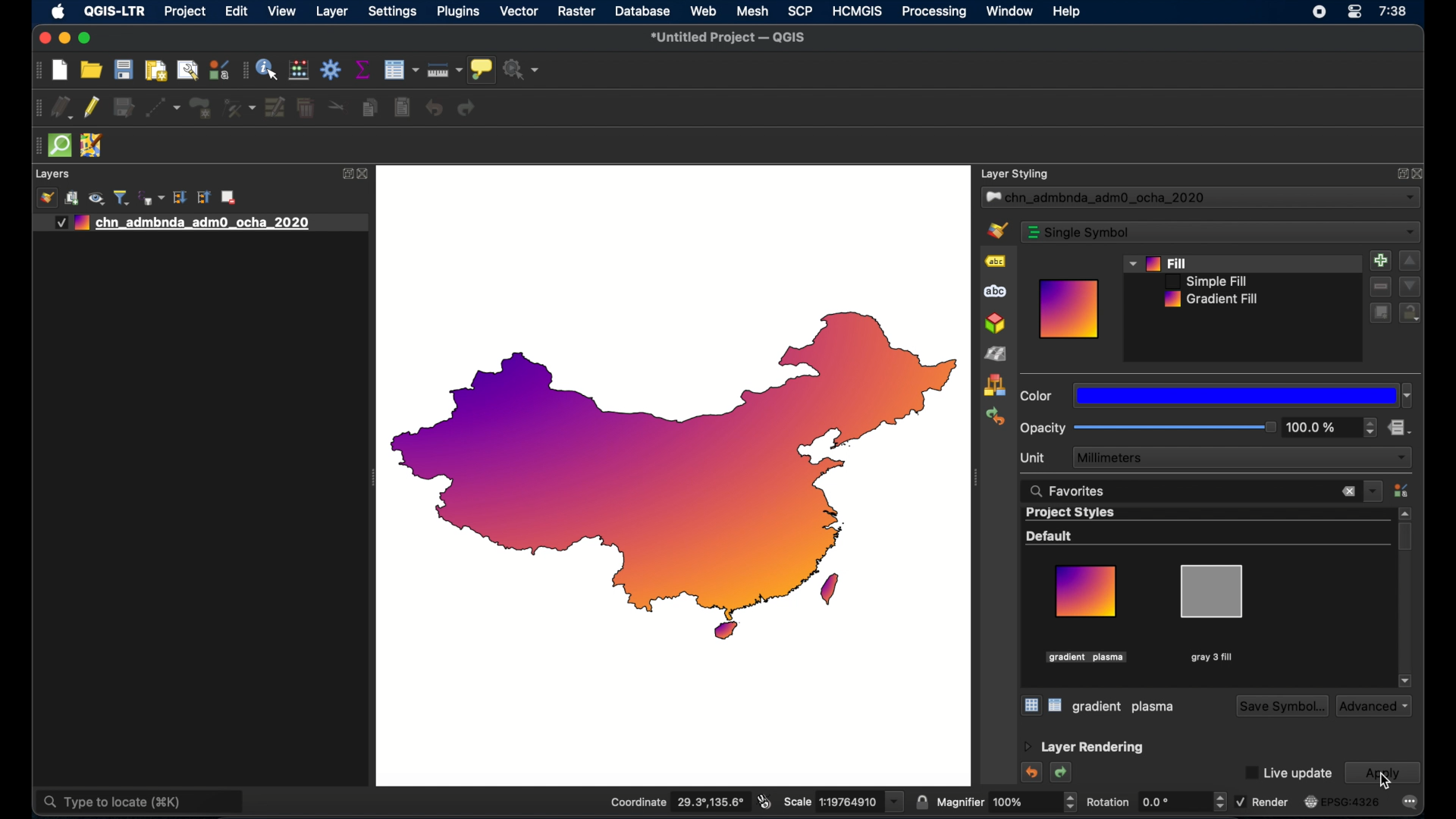  What do you see at coordinates (365, 174) in the screenshot?
I see `close` at bounding box center [365, 174].